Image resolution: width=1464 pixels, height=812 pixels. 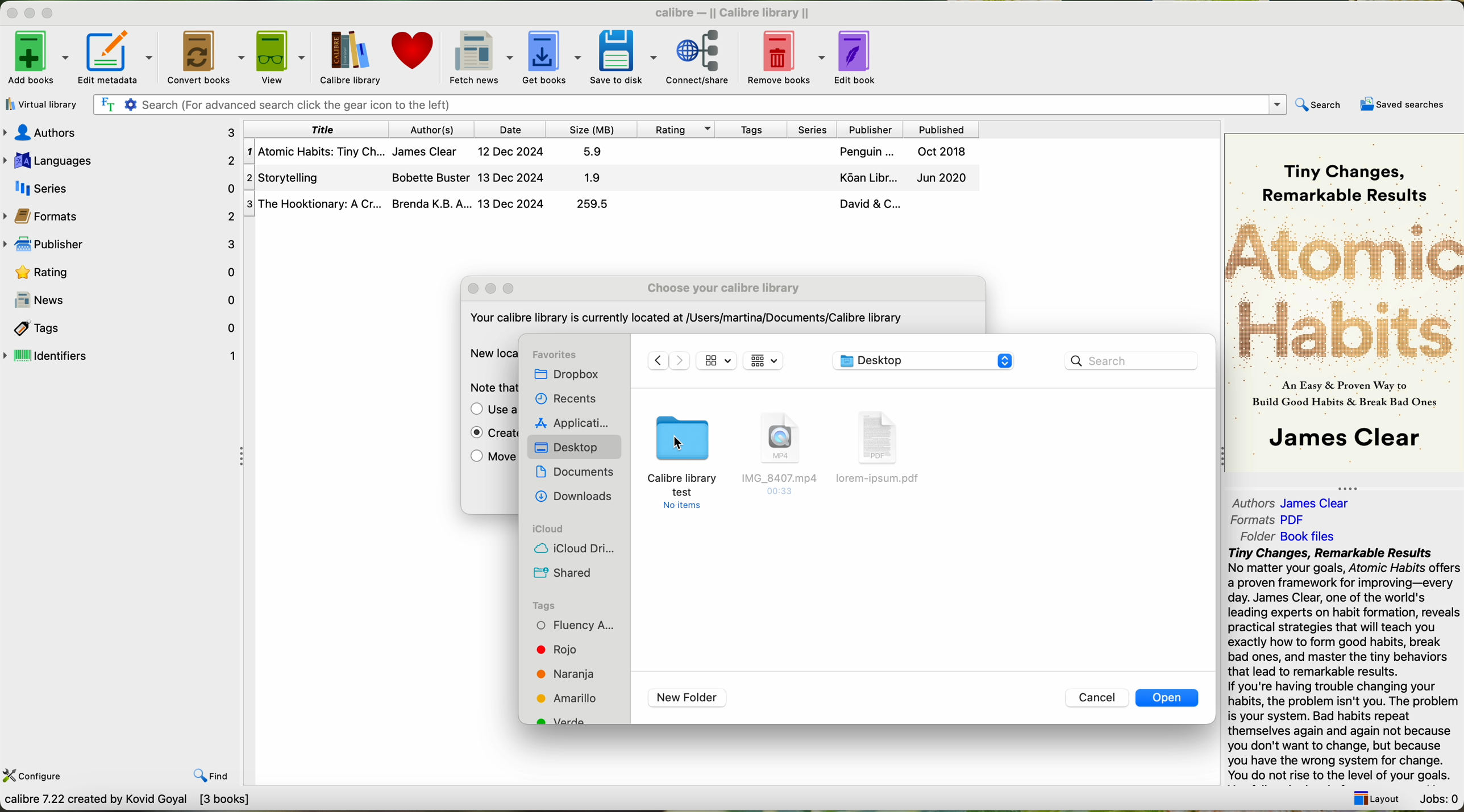 What do you see at coordinates (570, 449) in the screenshot?
I see `click on desktop` at bounding box center [570, 449].